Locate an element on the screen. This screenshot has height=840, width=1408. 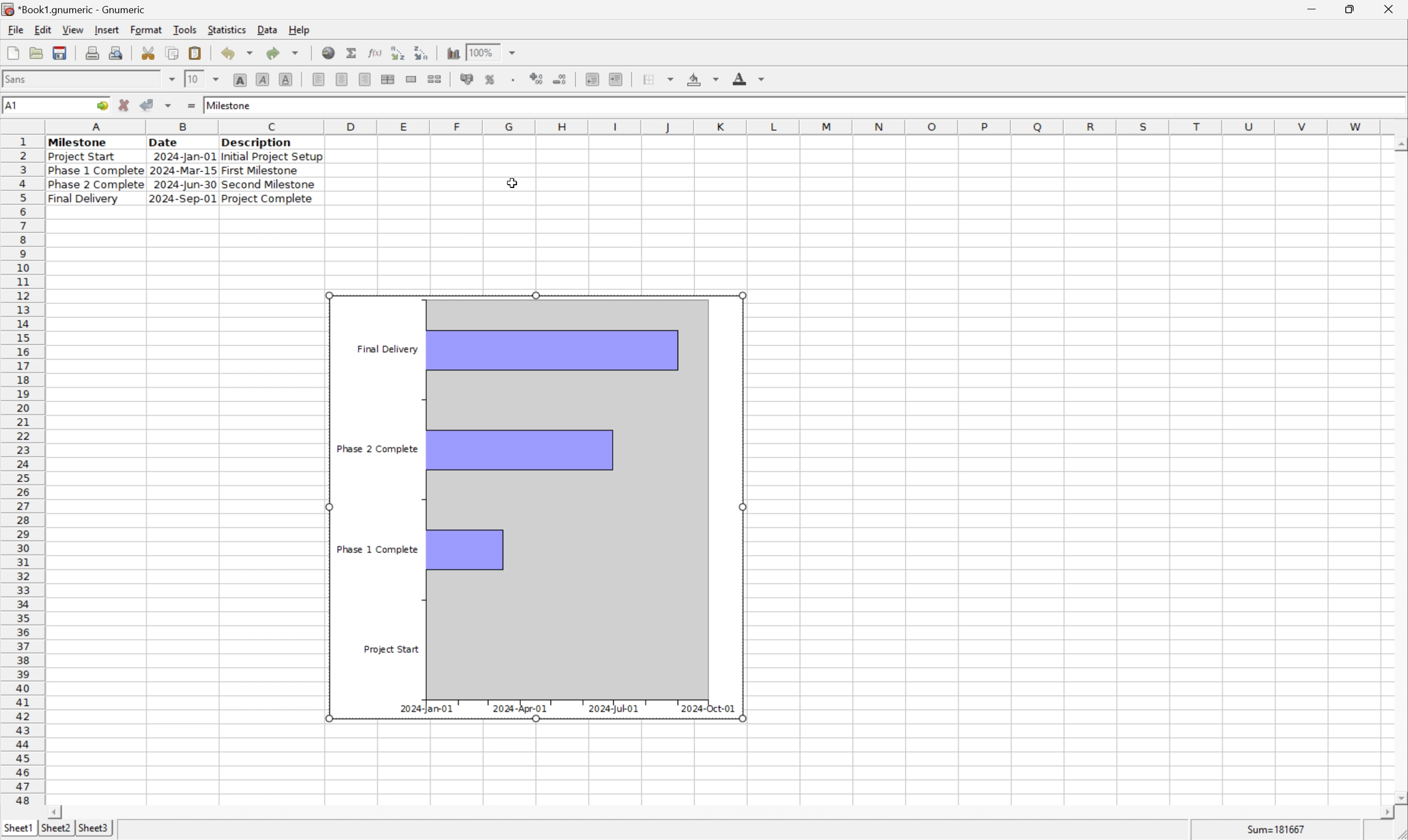
Application name is located at coordinates (75, 10).